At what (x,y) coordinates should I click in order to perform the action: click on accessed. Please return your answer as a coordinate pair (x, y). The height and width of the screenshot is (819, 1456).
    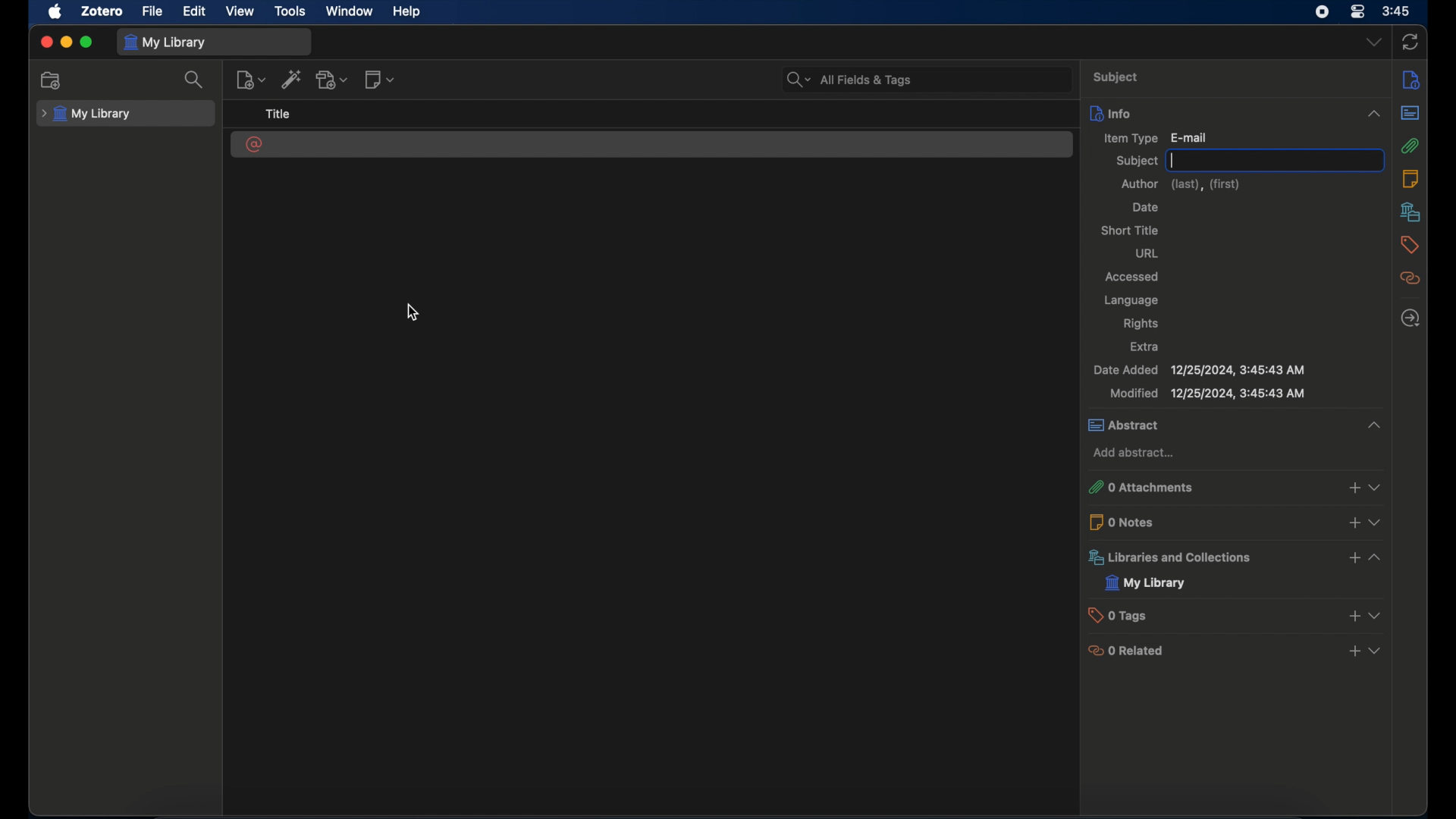
    Looking at the image, I should click on (1133, 278).